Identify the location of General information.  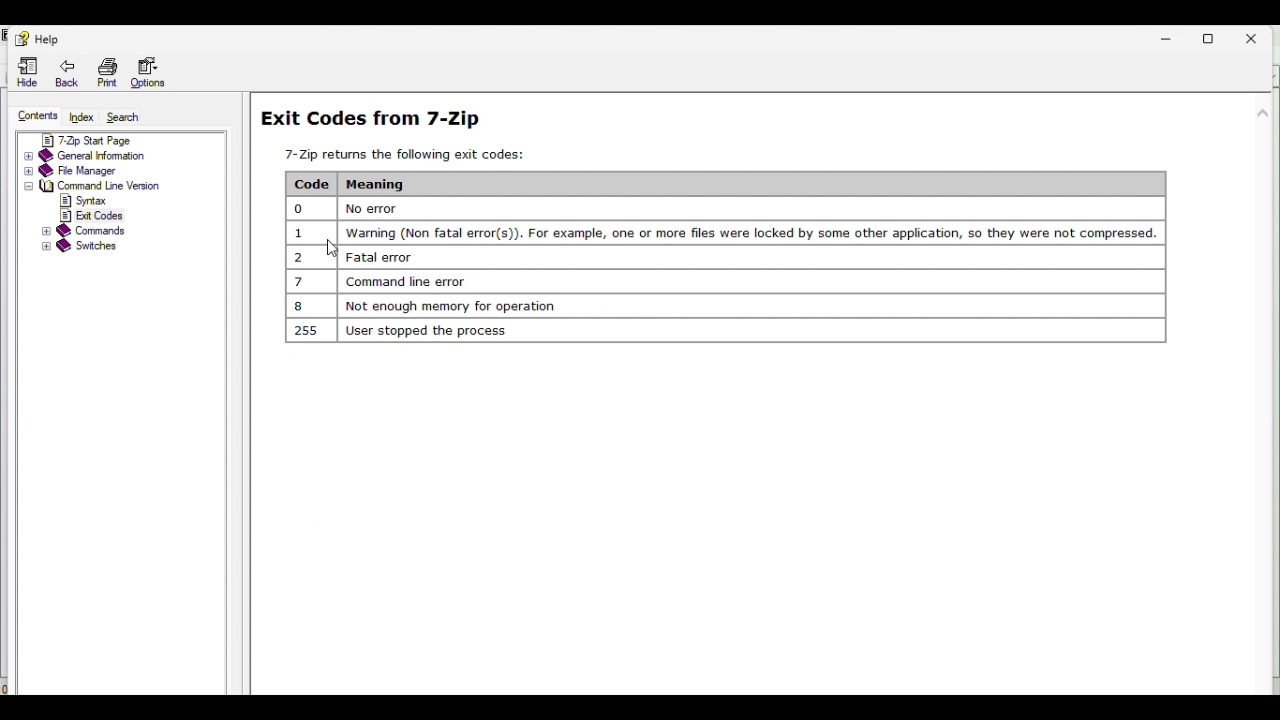
(104, 155).